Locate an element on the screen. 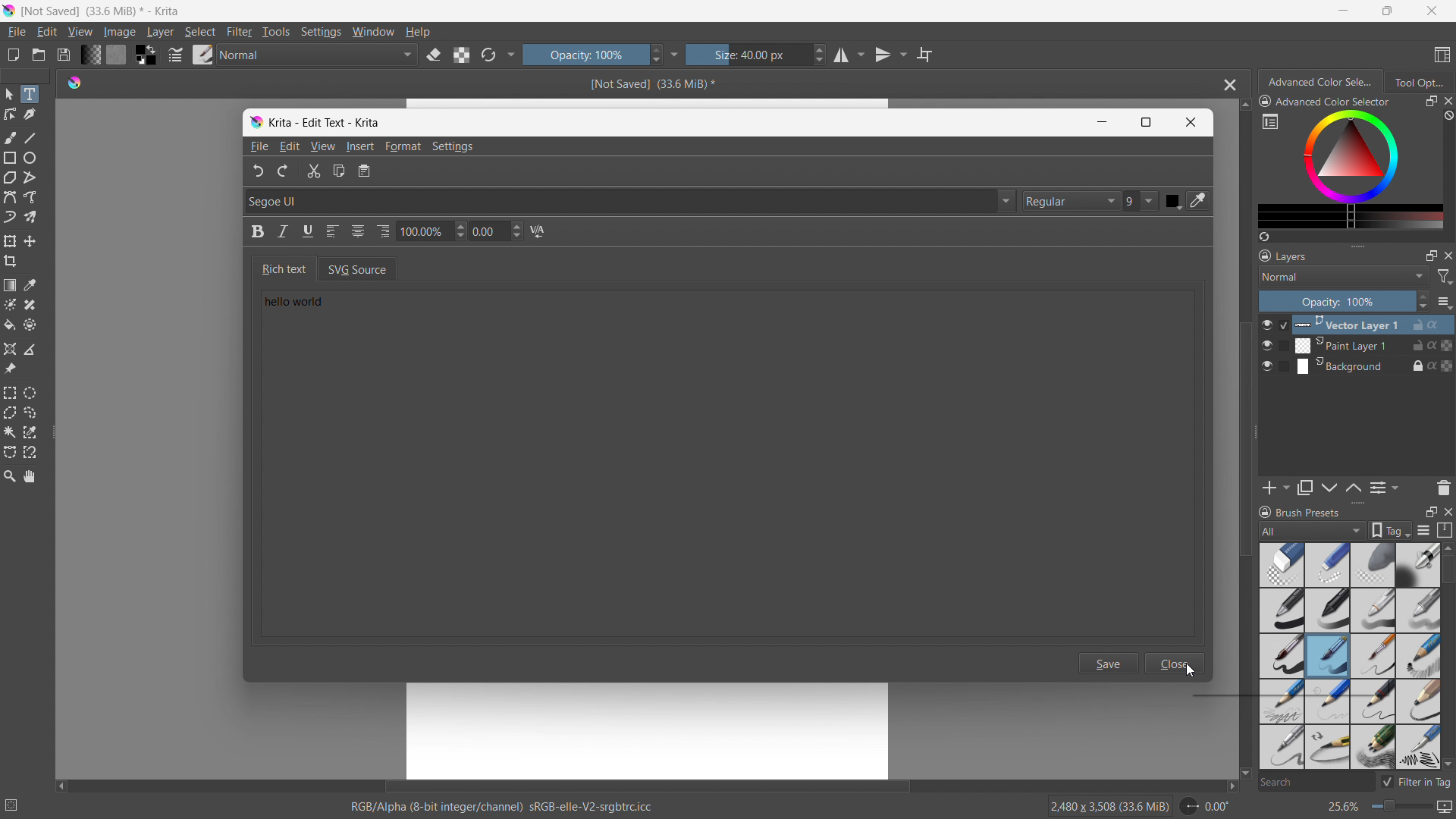 The height and width of the screenshot is (819, 1456). tags is located at coordinates (1391, 530).